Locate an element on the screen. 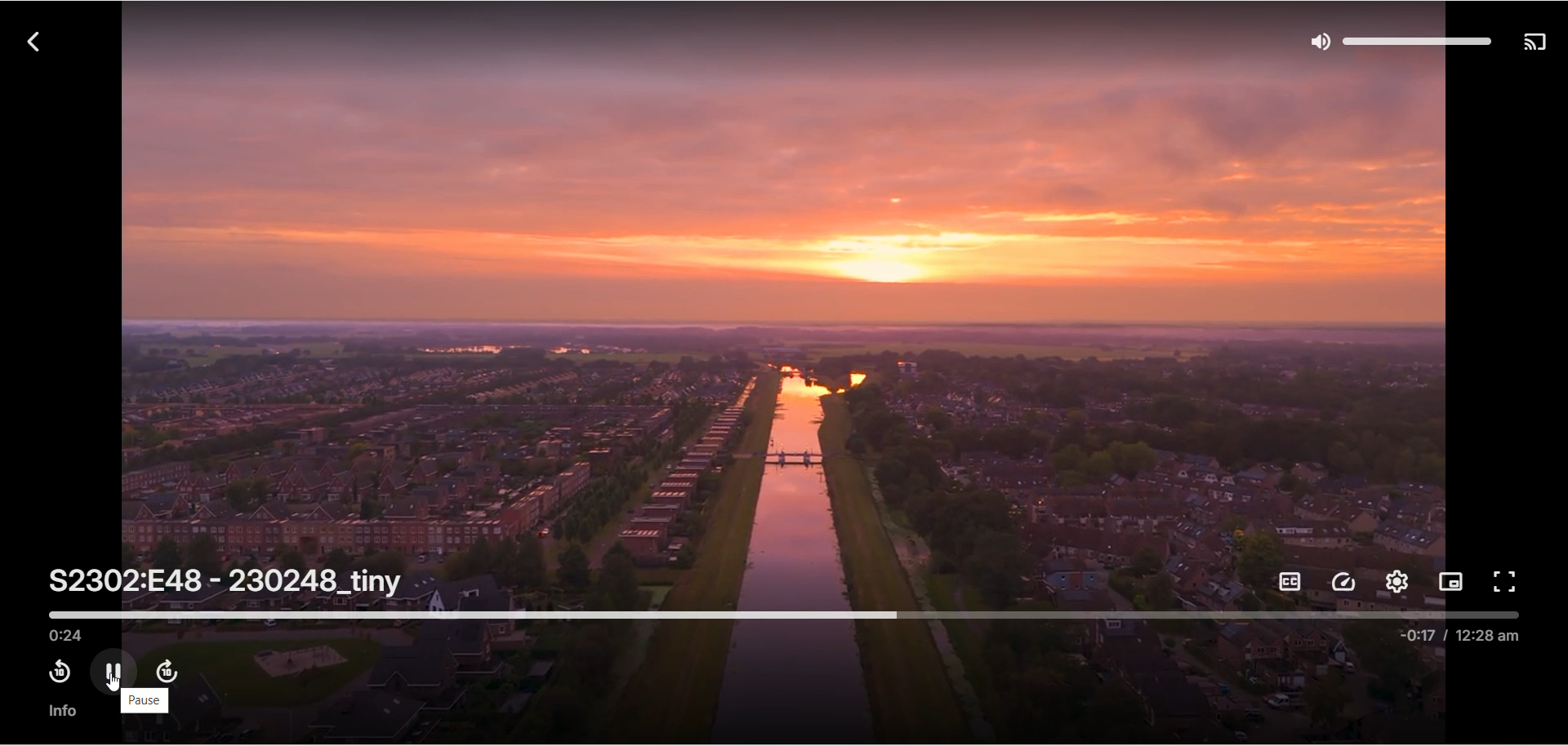 This screenshot has height=746, width=1568. subtitles is located at coordinates (1293, 581).